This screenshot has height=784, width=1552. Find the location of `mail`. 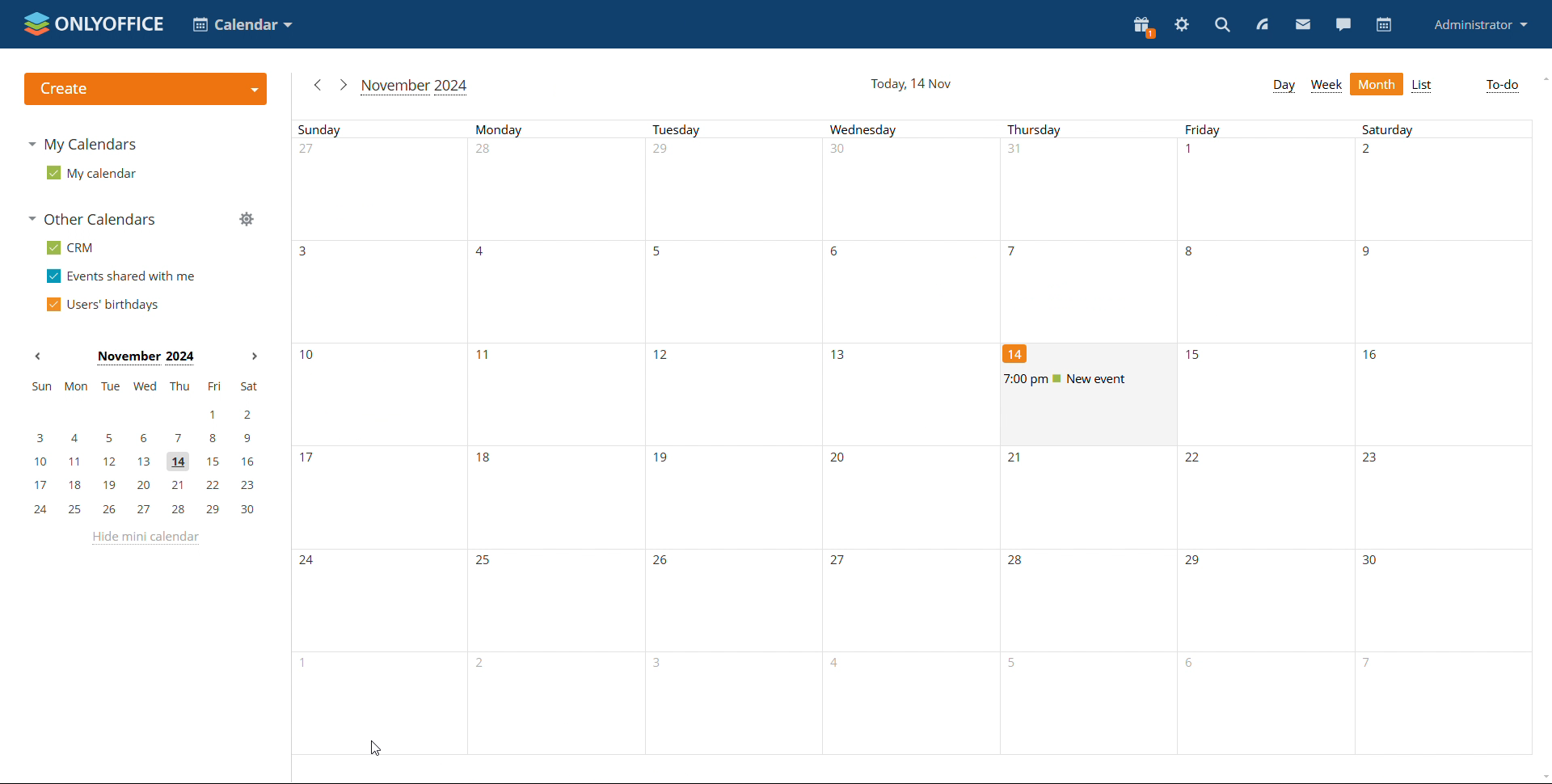

mail is located at coordinates (1303, 25).